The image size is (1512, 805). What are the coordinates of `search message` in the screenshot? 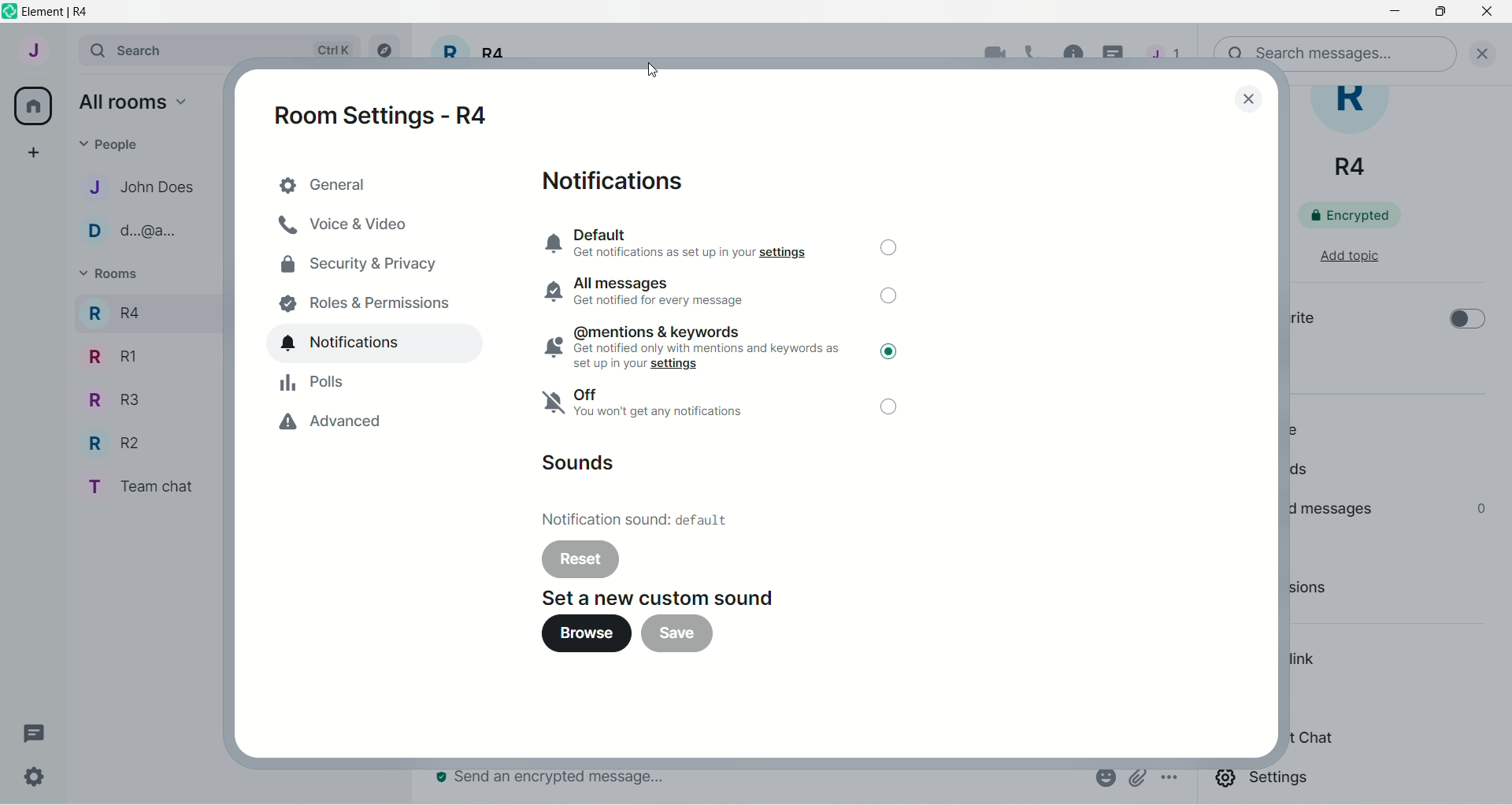 It's located at (1338, 50).